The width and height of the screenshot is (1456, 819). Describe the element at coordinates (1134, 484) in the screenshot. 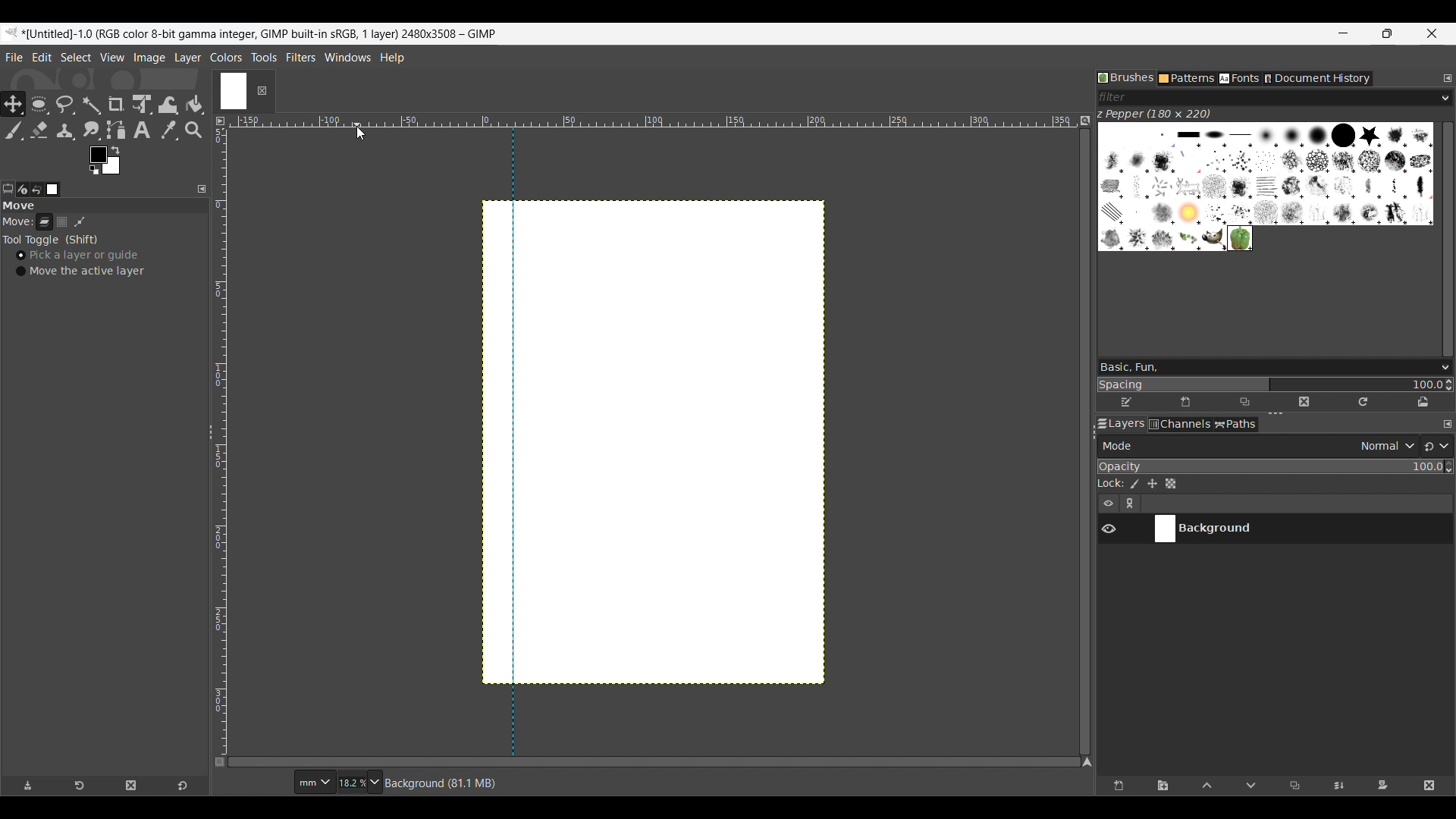

I see `Lock pixels` at that location.